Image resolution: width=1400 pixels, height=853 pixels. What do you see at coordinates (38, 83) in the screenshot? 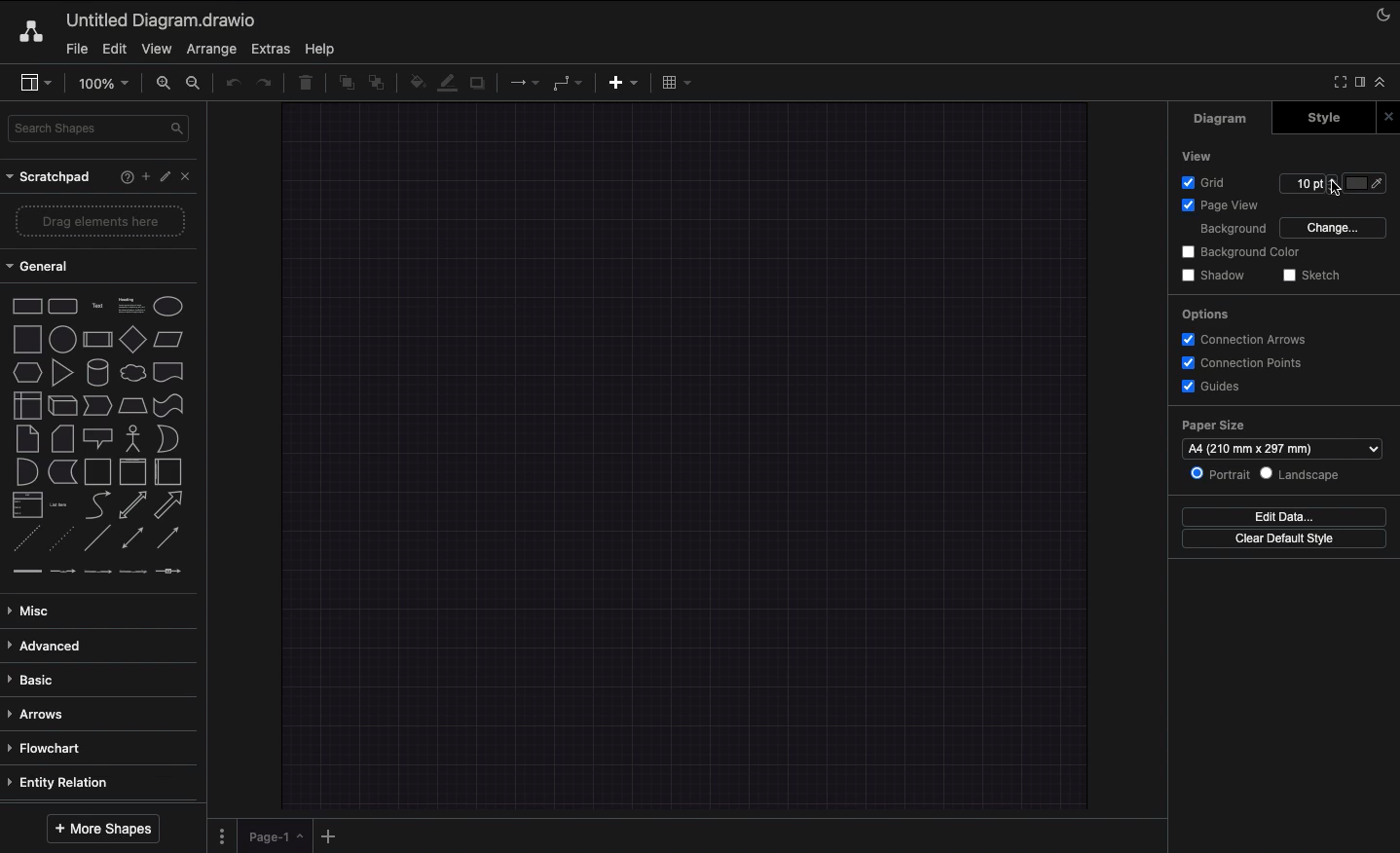
I see `Sidebar` at bounding box center [38, 83].